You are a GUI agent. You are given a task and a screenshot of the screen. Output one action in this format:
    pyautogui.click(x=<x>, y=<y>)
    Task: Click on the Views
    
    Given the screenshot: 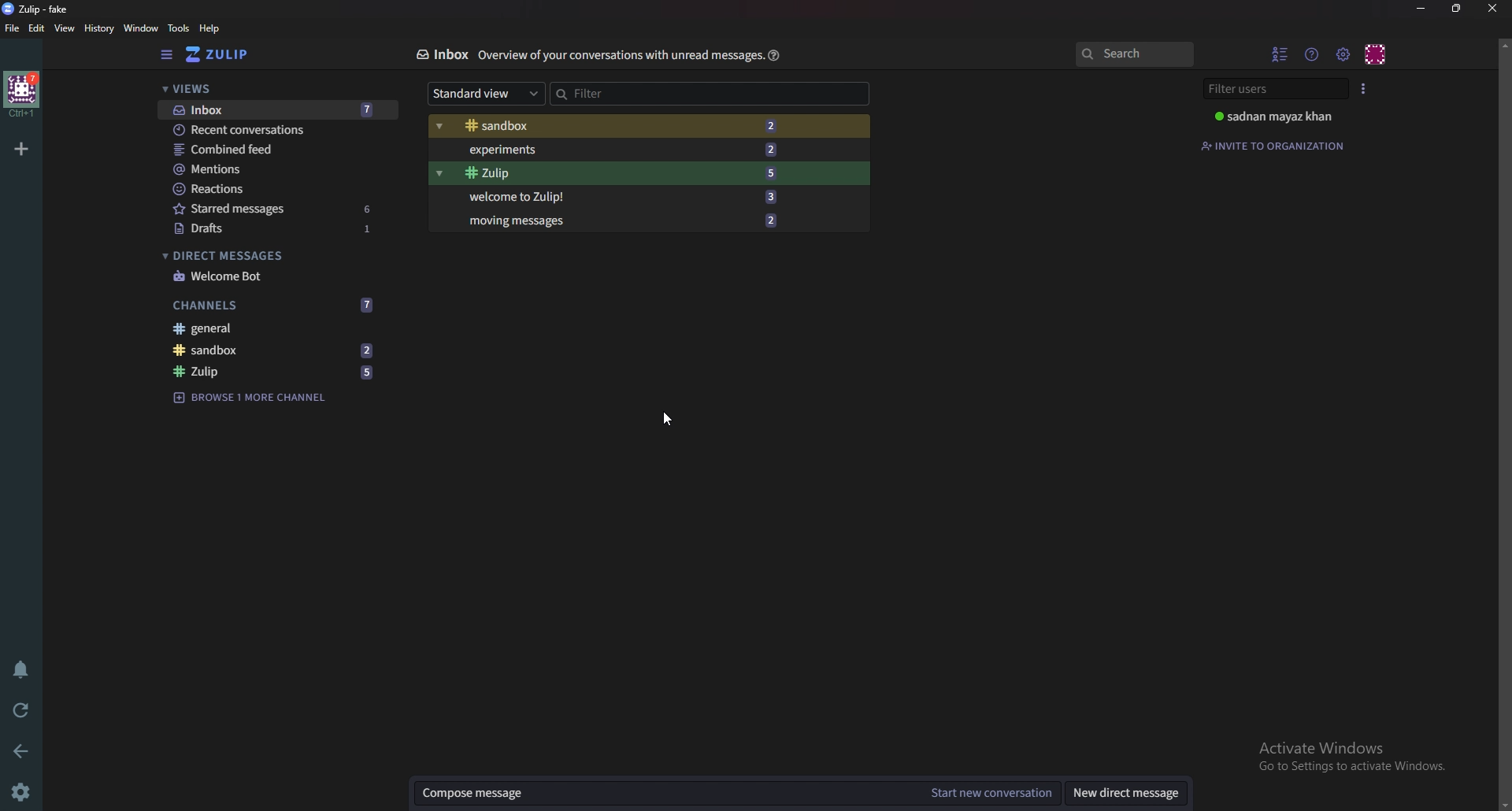 What is the action you would take?
    pyautogui.click(x=267, y=89)
    